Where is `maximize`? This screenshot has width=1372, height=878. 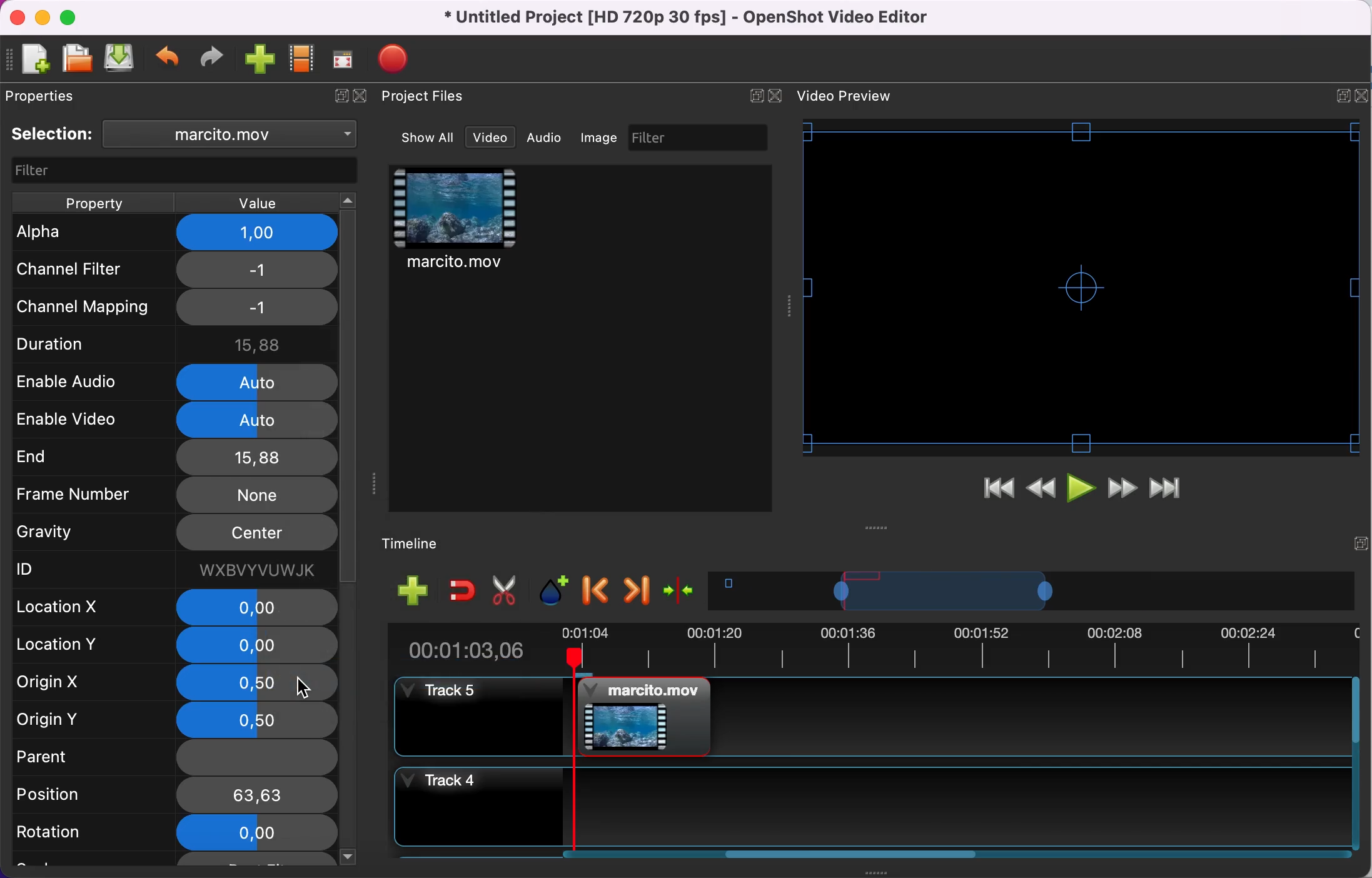 maximize is located at coordinates (72, 17).